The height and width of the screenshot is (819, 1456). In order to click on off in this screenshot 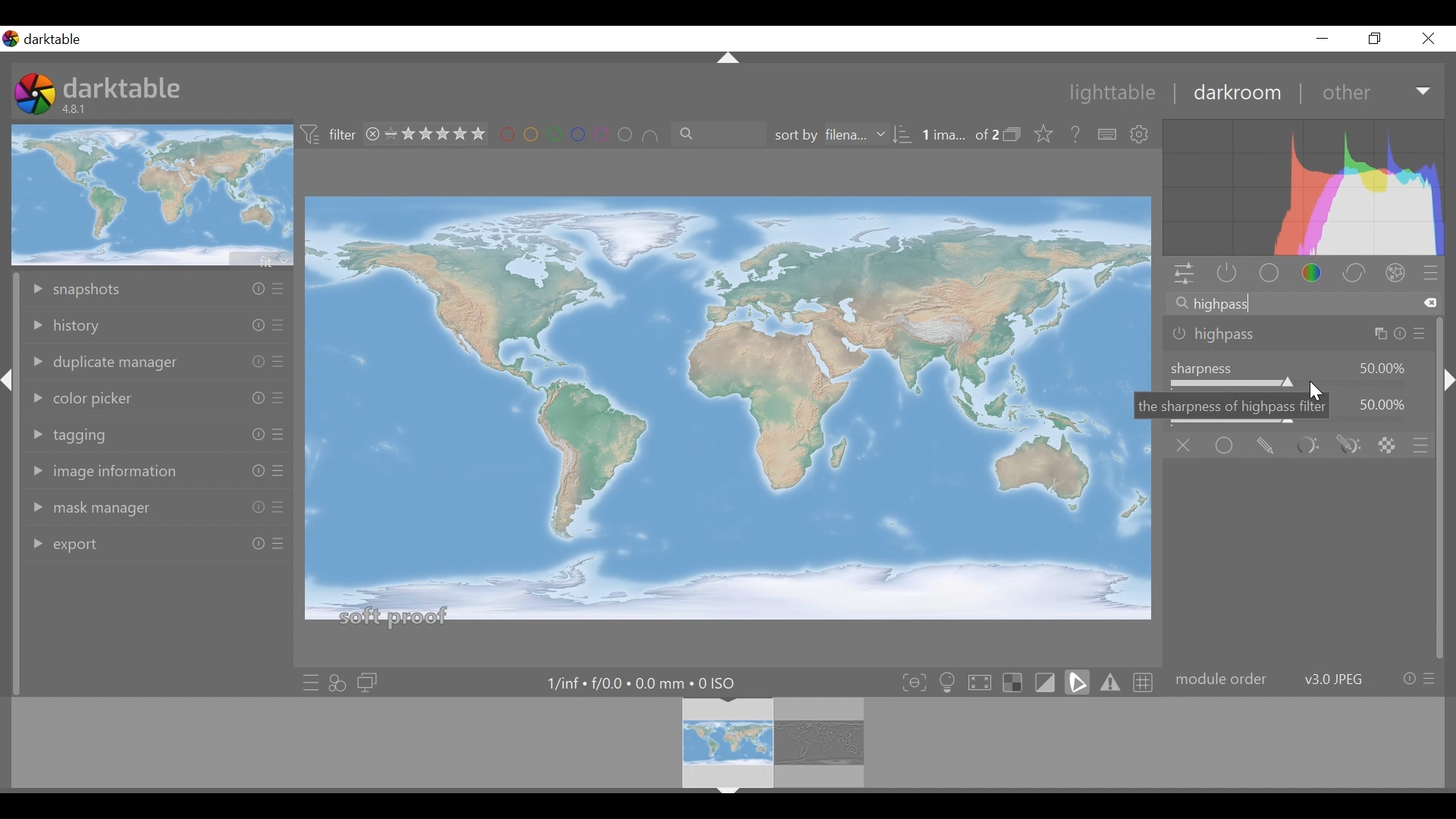, I will do `click(1185, 445)`.